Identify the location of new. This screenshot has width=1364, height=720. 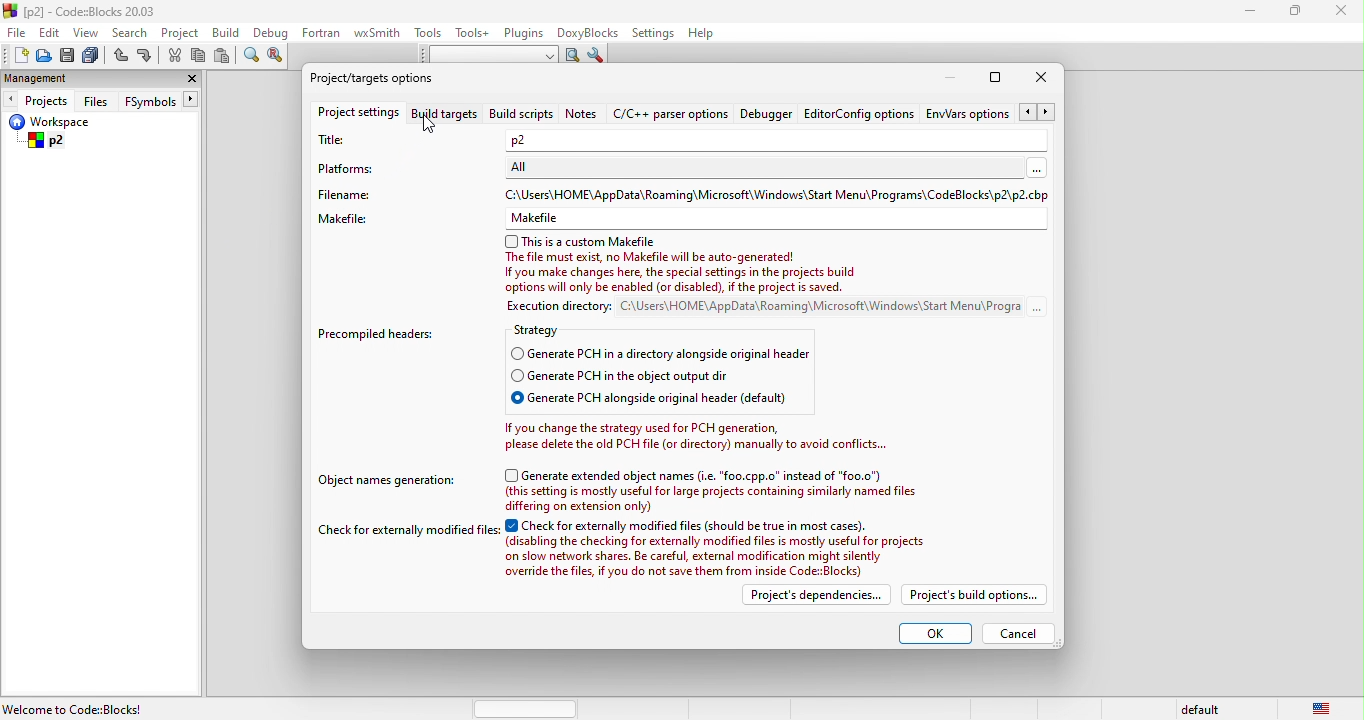
(15, 55).